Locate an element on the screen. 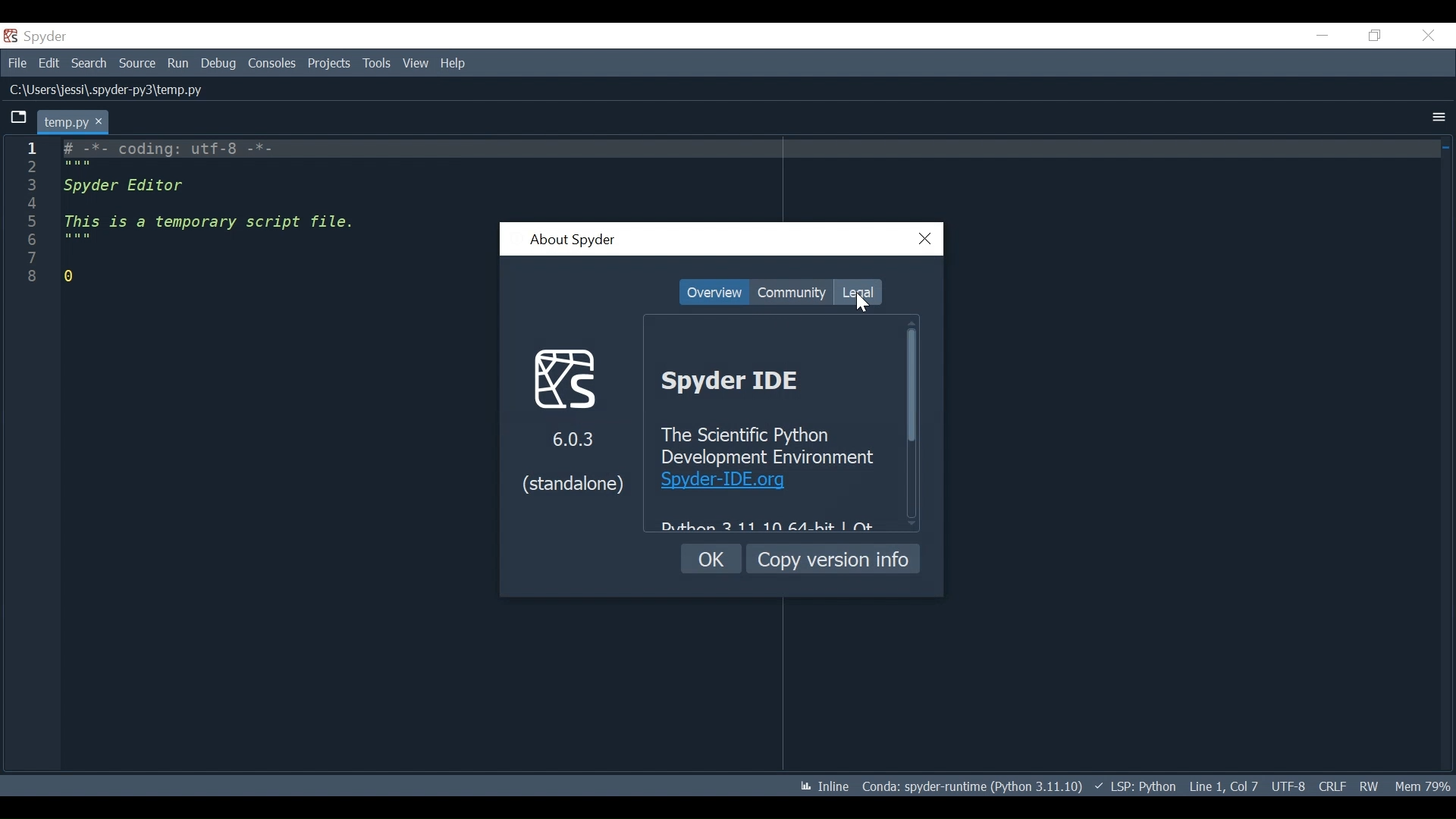 The height and width of the screenshot is (819, 1456). Line 1, Col 7 is located at coordinates (1223, 784).